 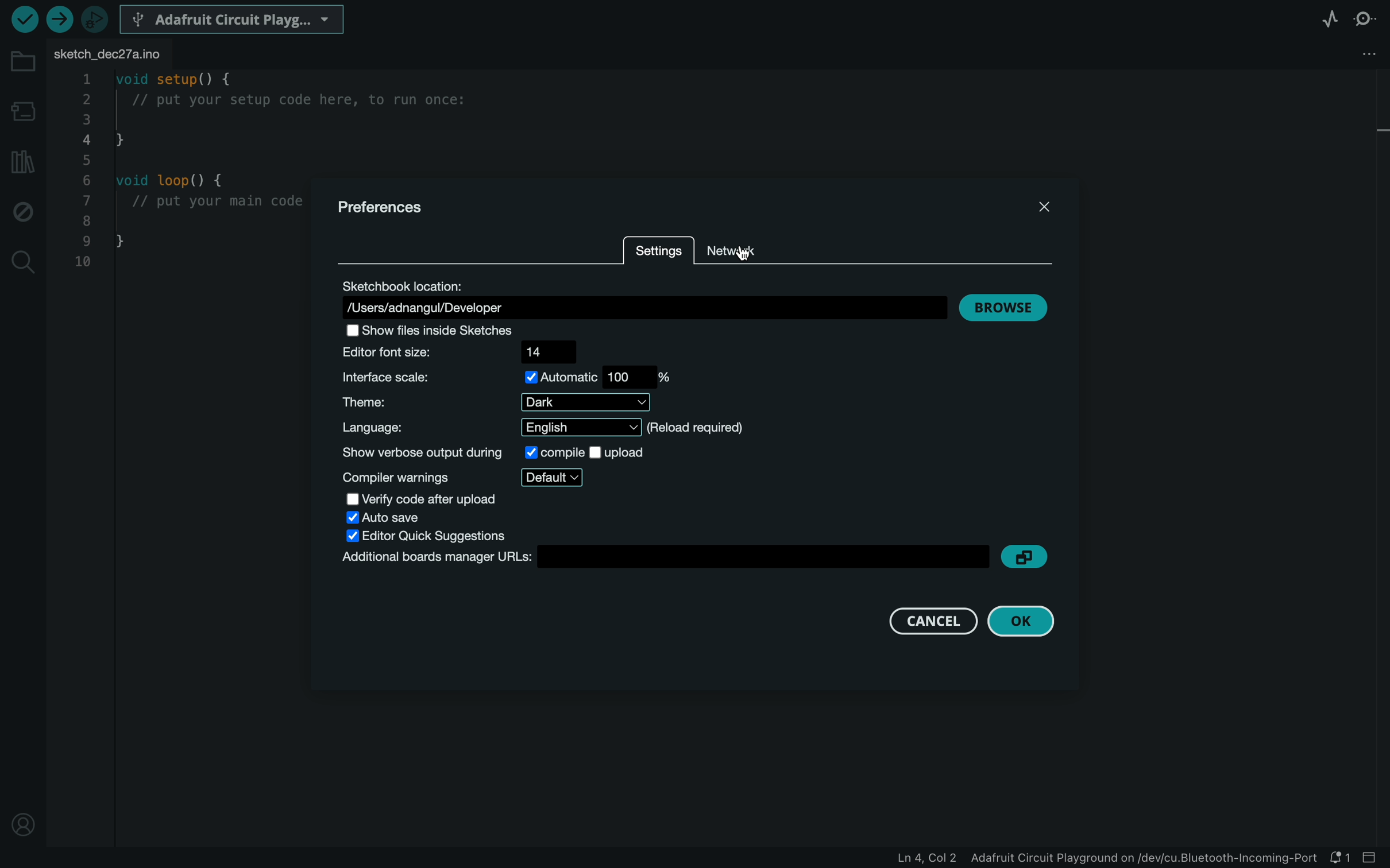 I want to click on debug, so click(x=23, y=208).